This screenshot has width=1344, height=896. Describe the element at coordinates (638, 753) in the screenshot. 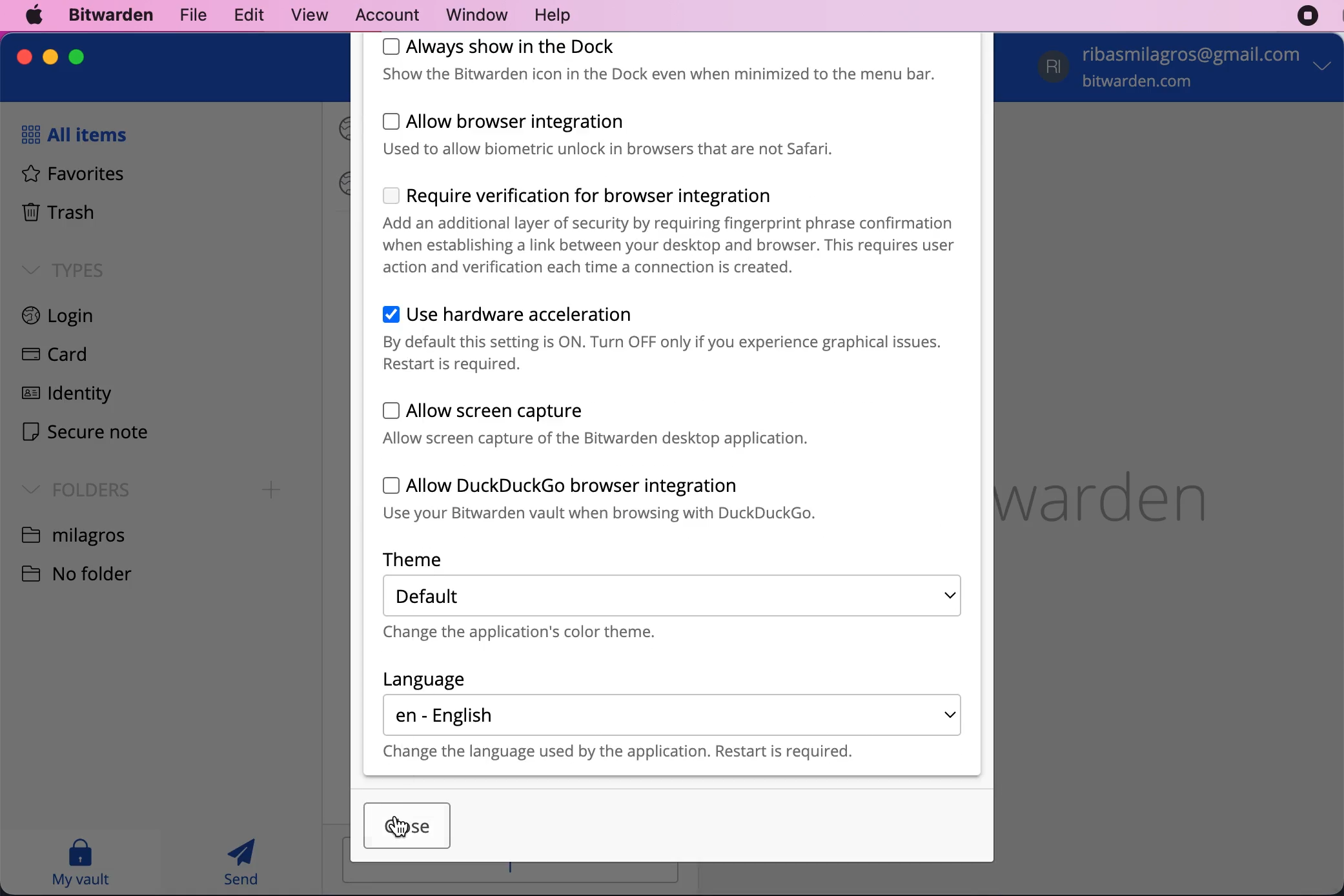

I see `change the language used by the application. restart is requires` at that location.